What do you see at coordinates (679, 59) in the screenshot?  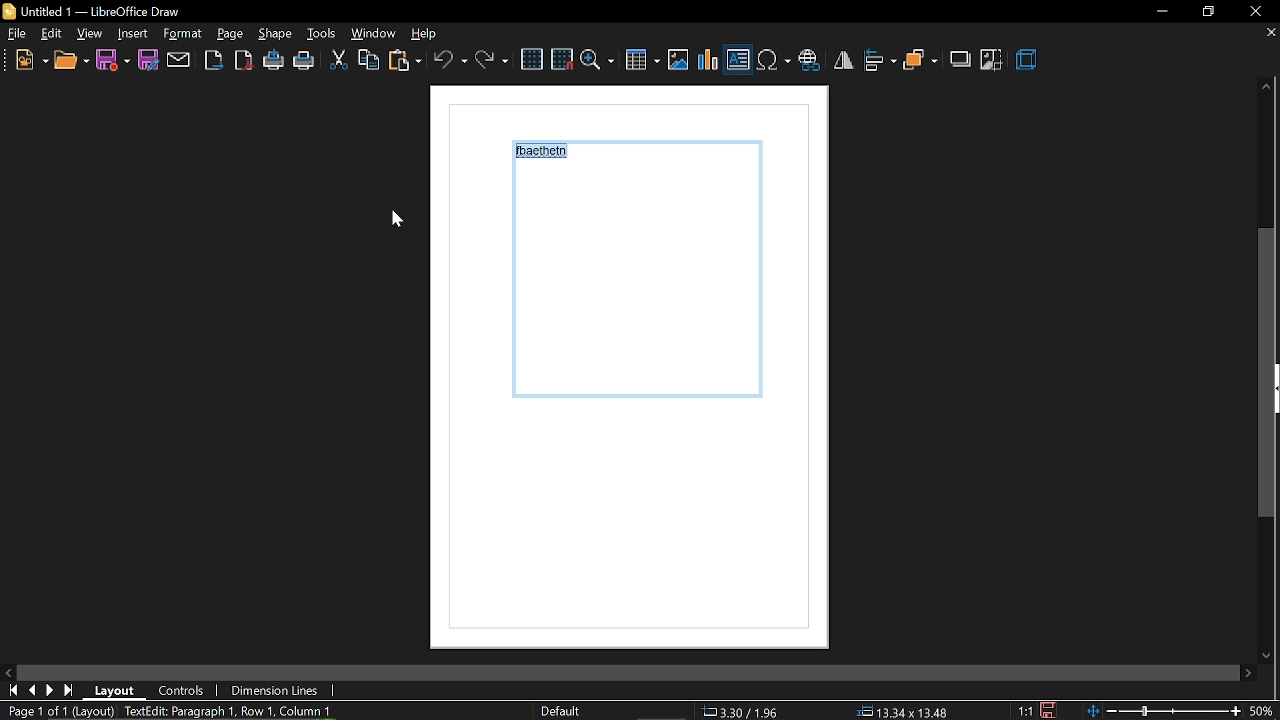 I see `insert image` at bounding box center [679, 59].